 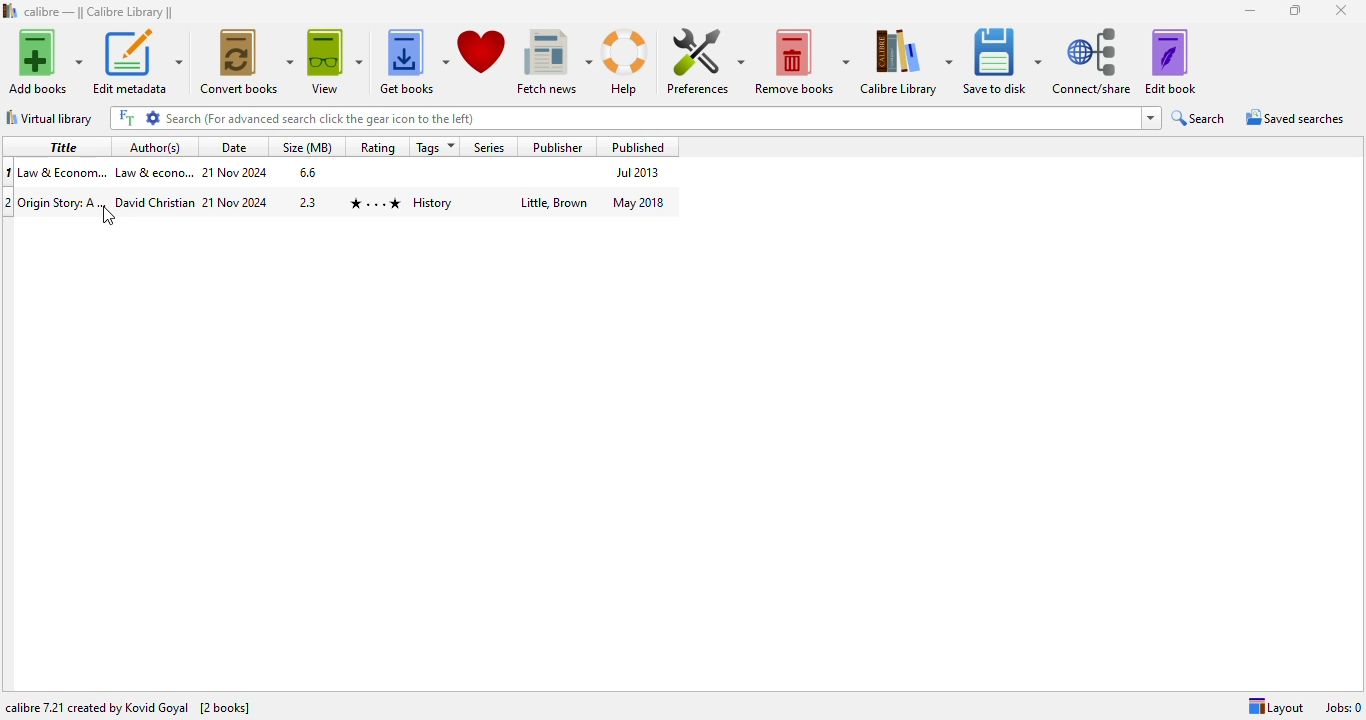 What do you see at coordinates (482, 50) in the screenshot?
I see `donate to support calibre` at bounding box center [482, 50].